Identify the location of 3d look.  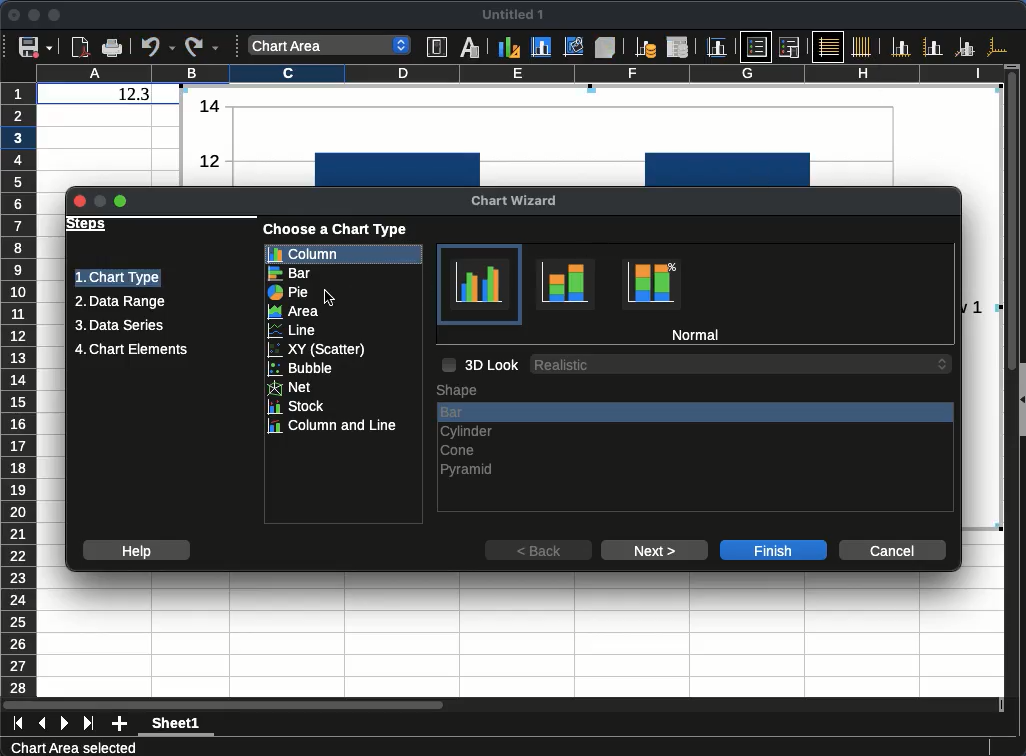
(480, 365).